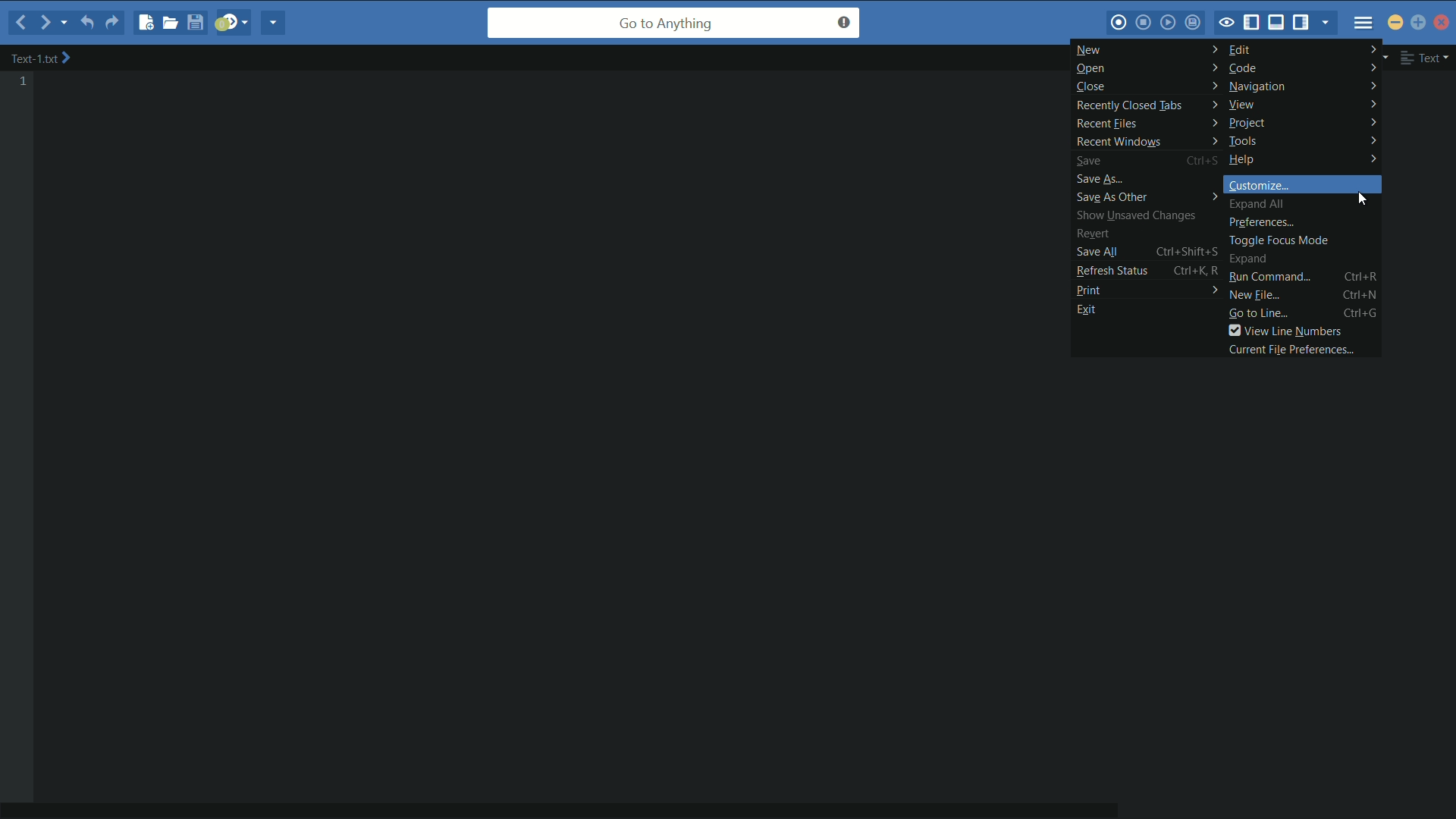 The image size is (1456, 819). What do you see at coordinates (1252, 21) in the screenshot?
I see `show/hide left pane ` at bounding box center [1252, 21].